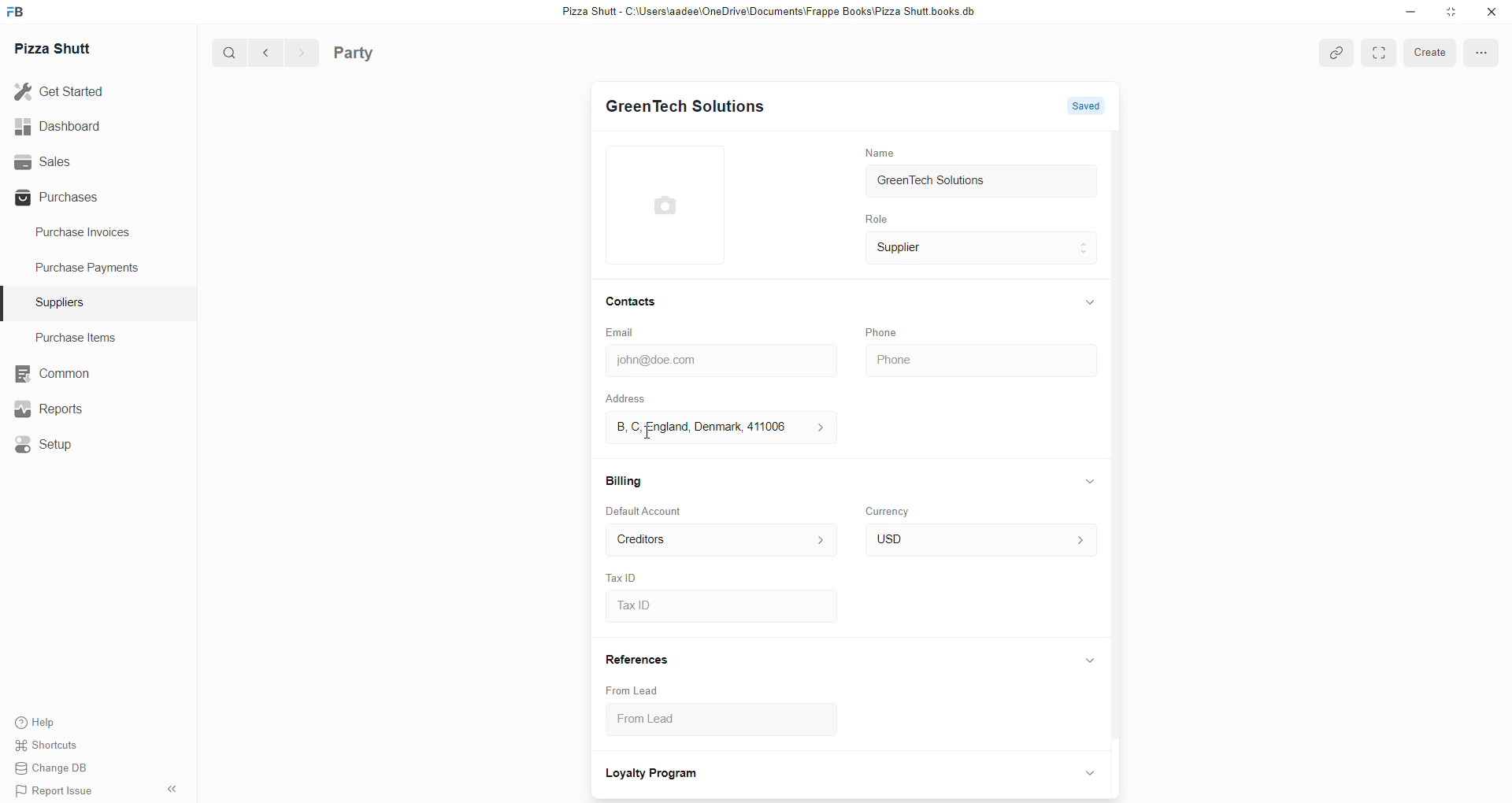  I want to click on B, C,fEngland, Denmark, 411006, so click(716, 427).